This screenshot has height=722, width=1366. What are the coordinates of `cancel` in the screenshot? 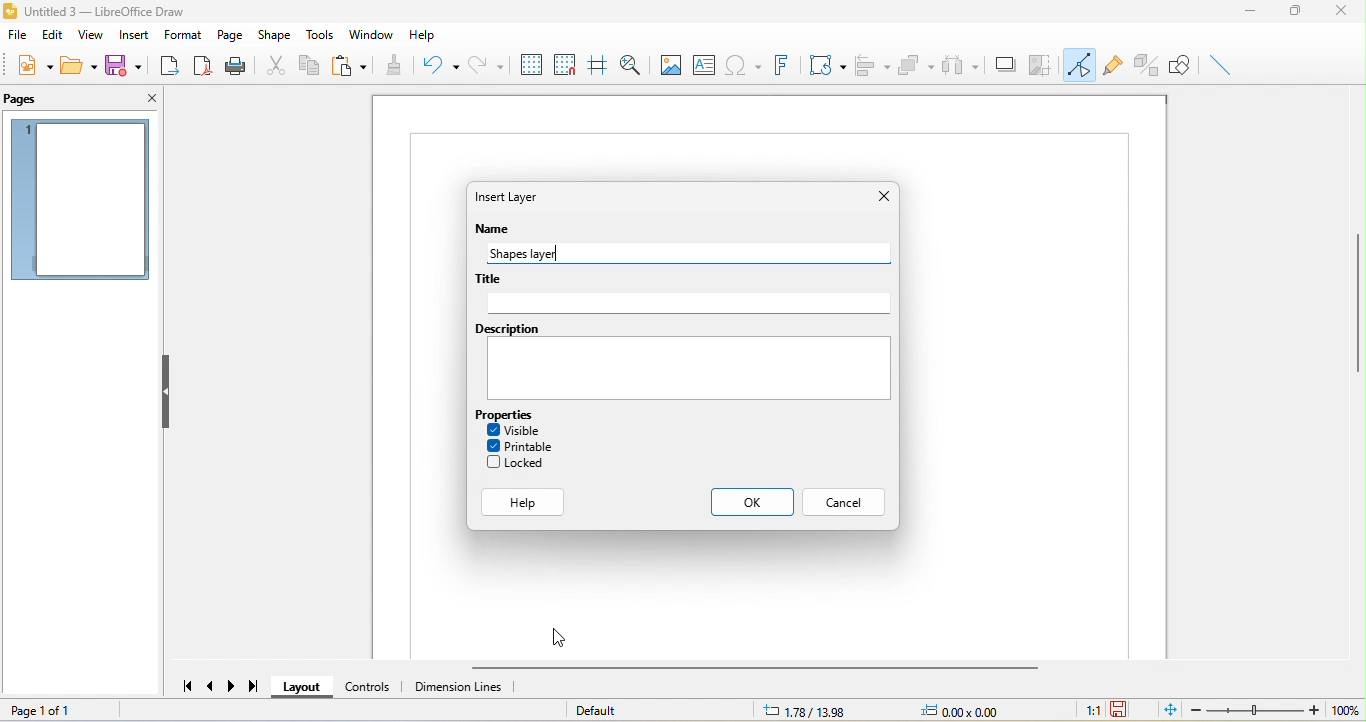 It's located at (846, 503).